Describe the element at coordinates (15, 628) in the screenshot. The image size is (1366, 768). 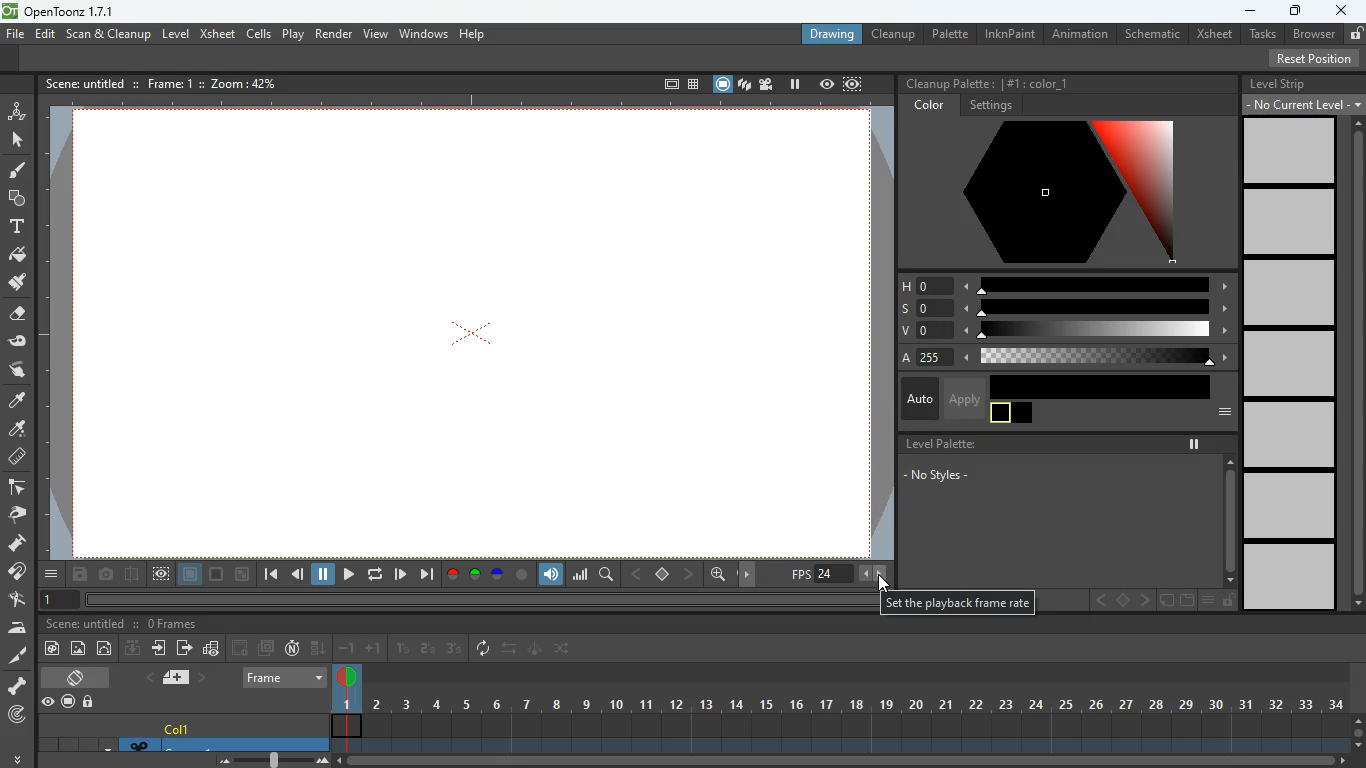
I see `iron` at that location.